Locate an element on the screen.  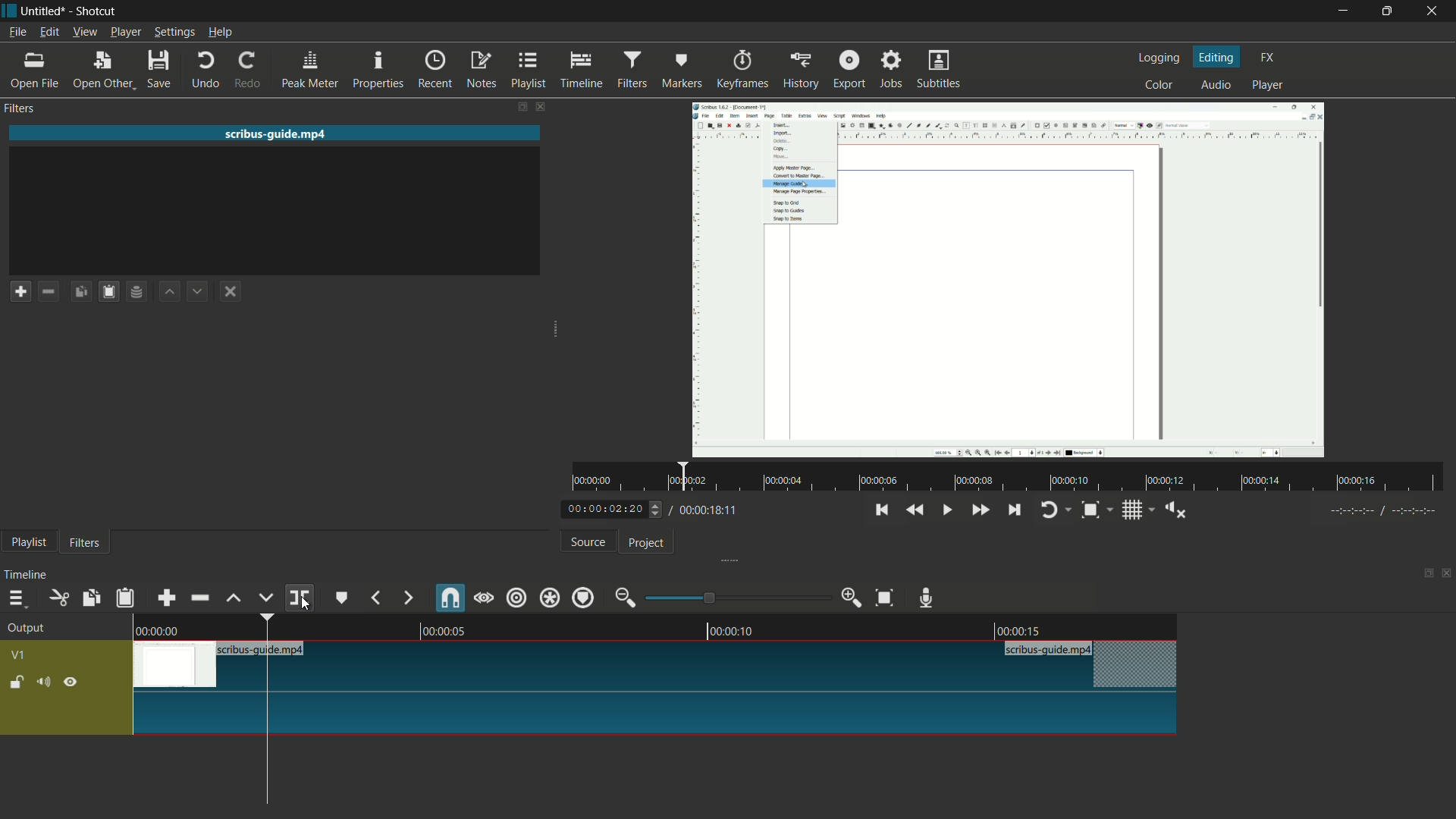
filters is located at coordinates (634, 70).